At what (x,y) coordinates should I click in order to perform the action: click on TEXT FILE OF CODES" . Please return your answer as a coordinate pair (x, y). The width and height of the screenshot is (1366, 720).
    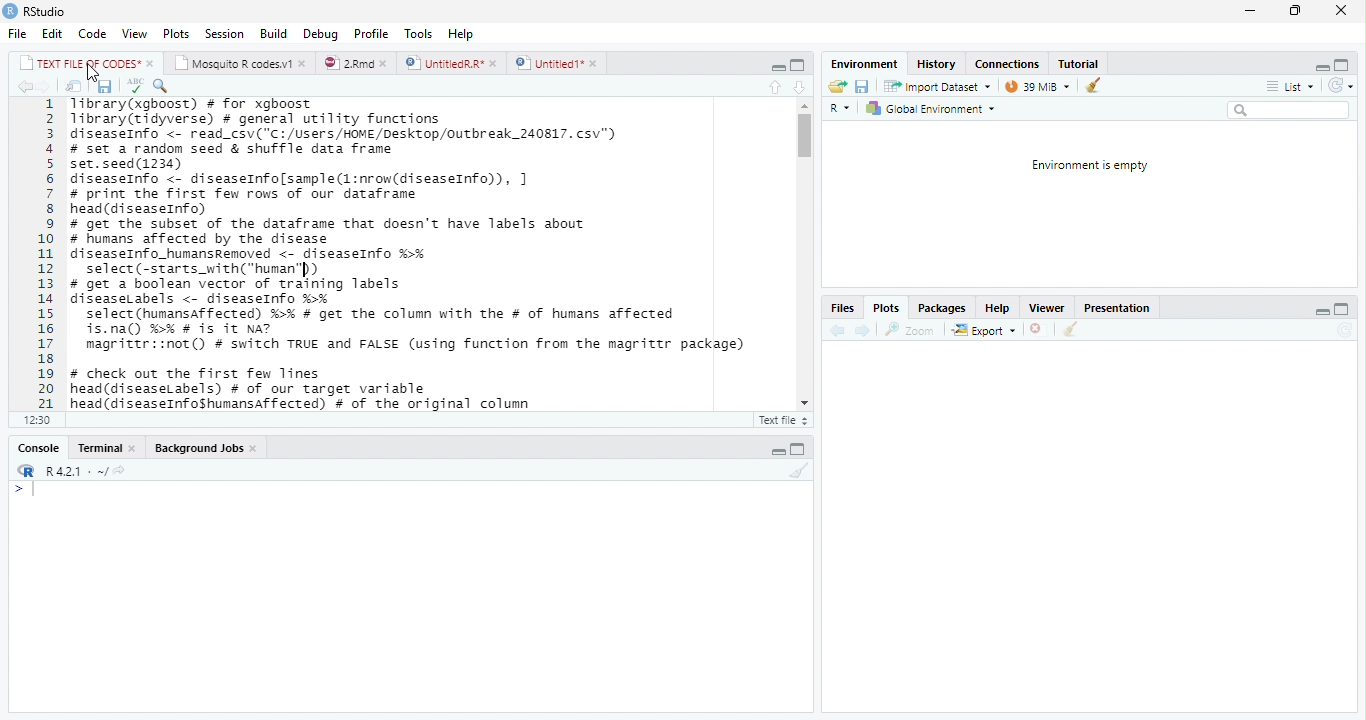
    Looking at the image, I should click on (86, 63).